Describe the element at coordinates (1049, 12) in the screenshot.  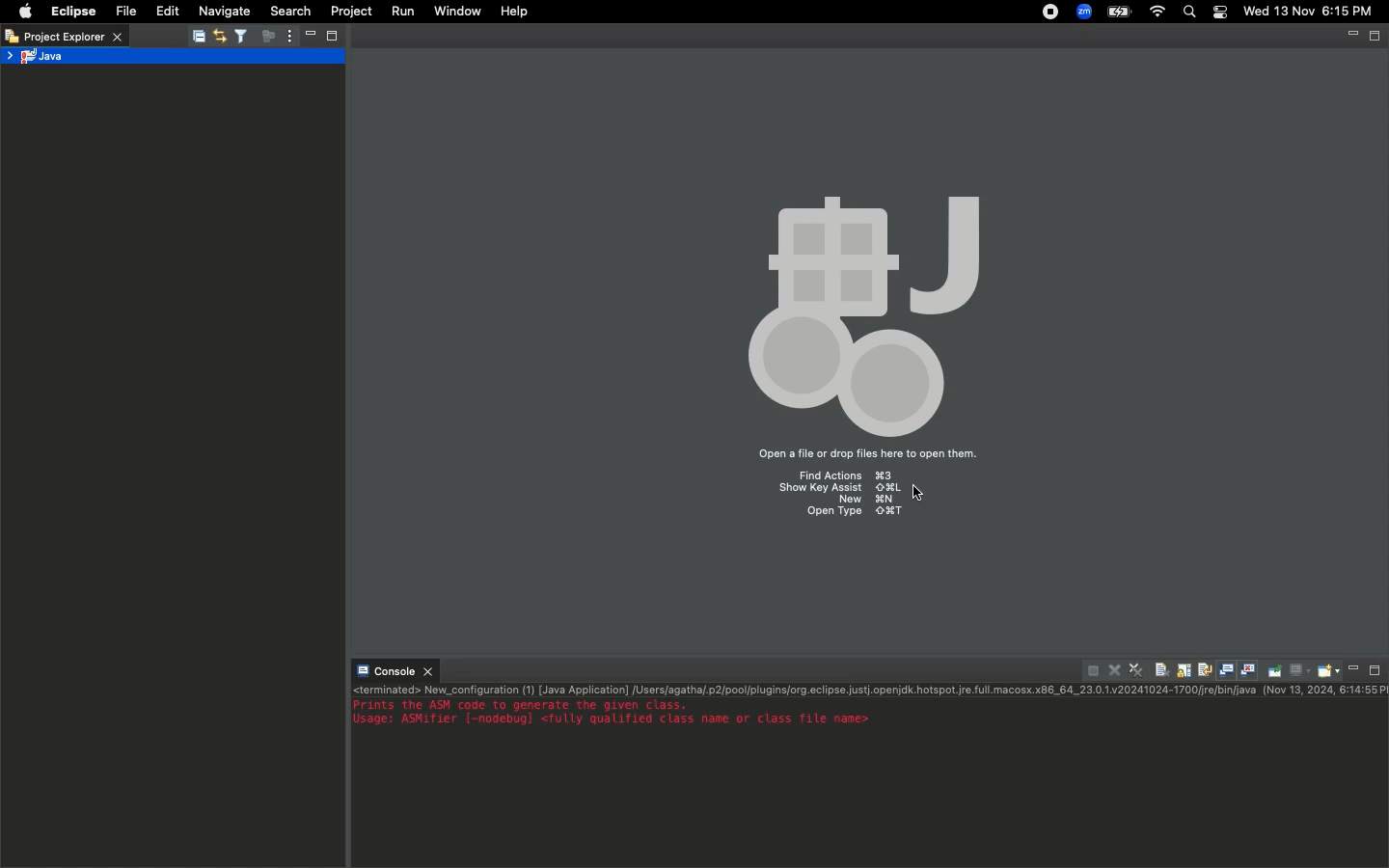
I see `Recording` at that location.